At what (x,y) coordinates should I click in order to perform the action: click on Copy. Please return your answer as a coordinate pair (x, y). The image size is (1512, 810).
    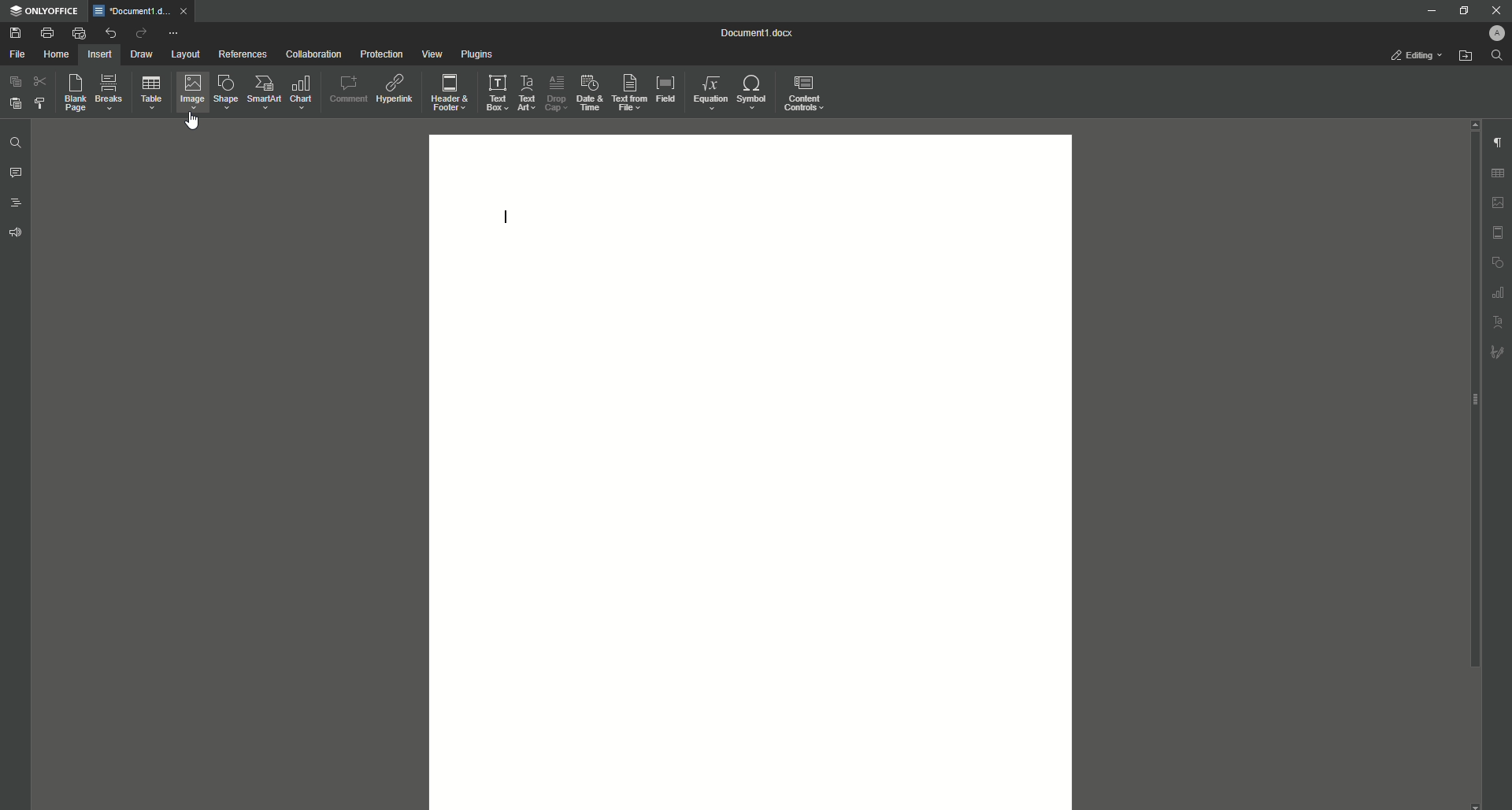
    Looking at the image, I should click on (17, 80).